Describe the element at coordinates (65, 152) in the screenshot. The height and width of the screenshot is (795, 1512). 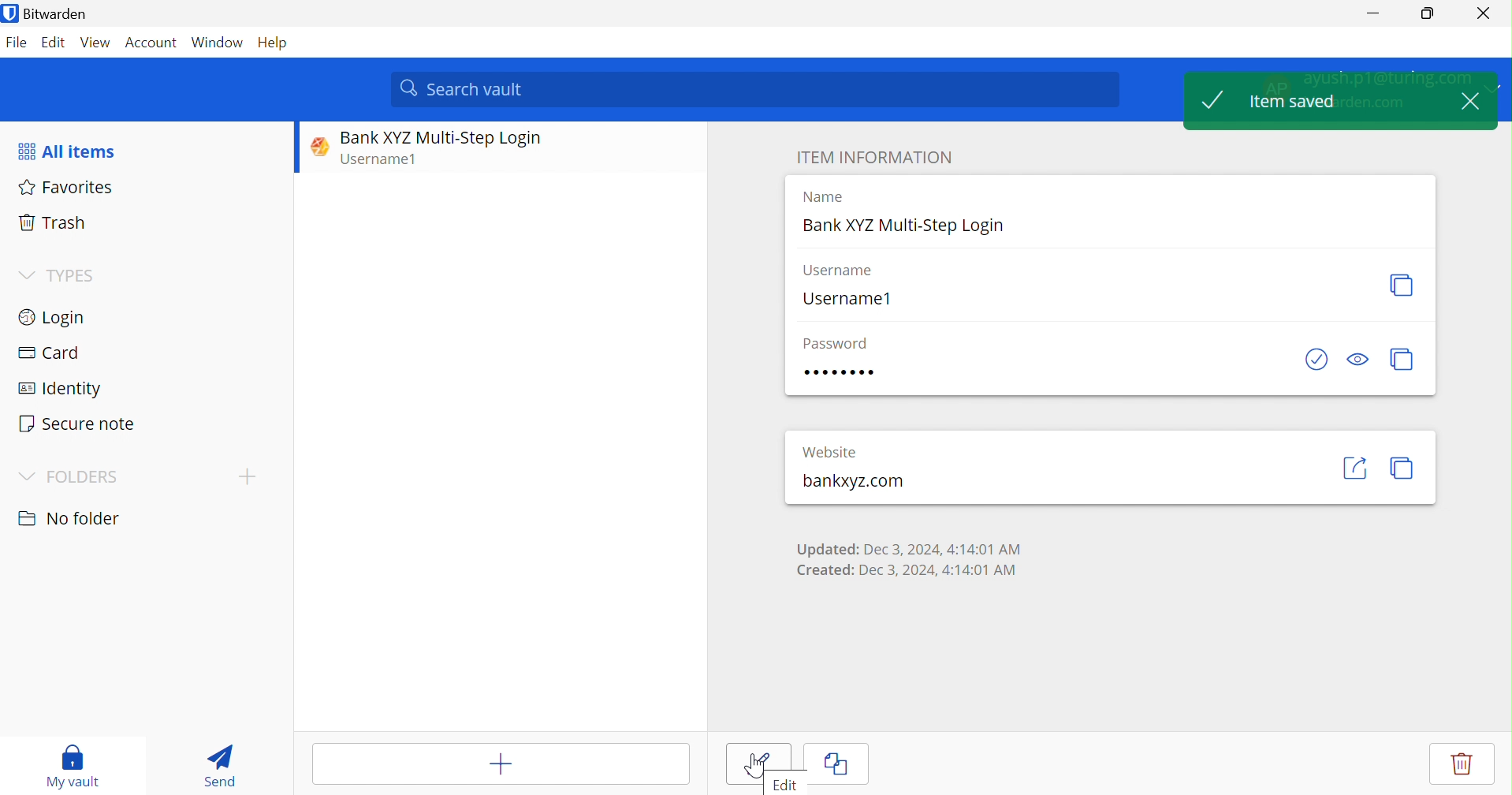
I see `All items` at that location.